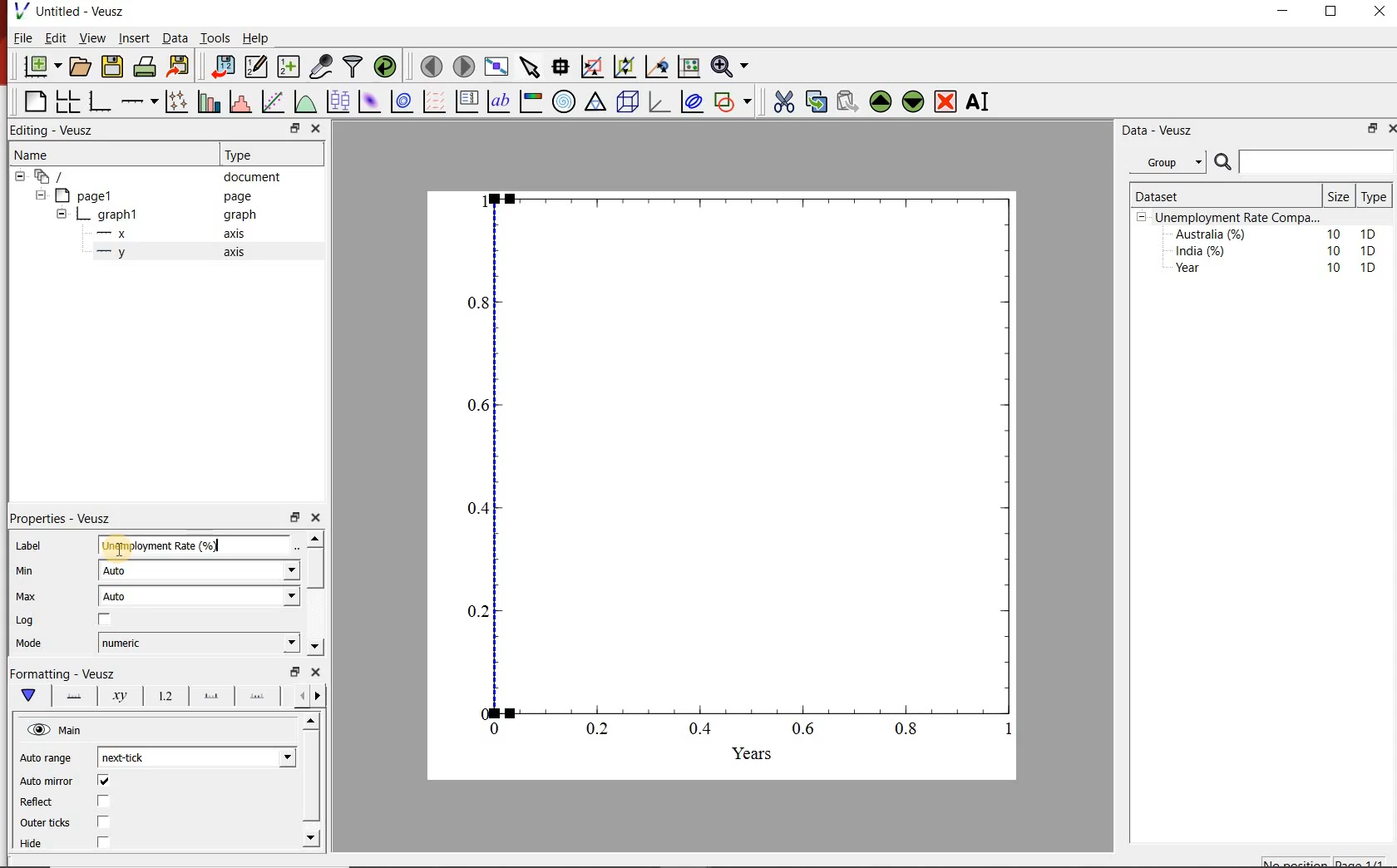  I want to click on move to previous page, so click(432, 65).